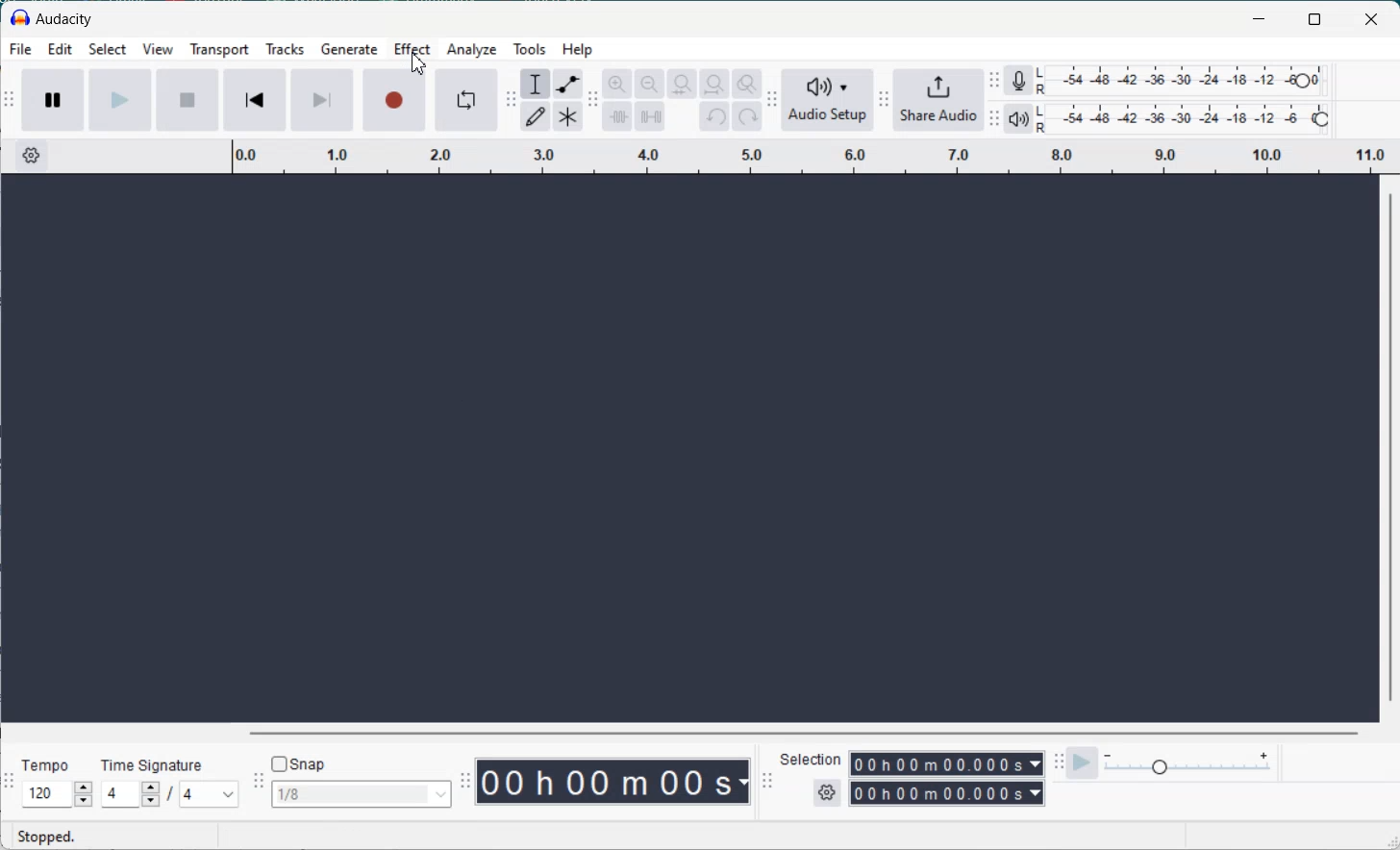 This screenshot has height=850, width=1400. Describe the element at coordinates (994, 81) in the screenshot. I see `Audacity recording meter toolbar` at that location.